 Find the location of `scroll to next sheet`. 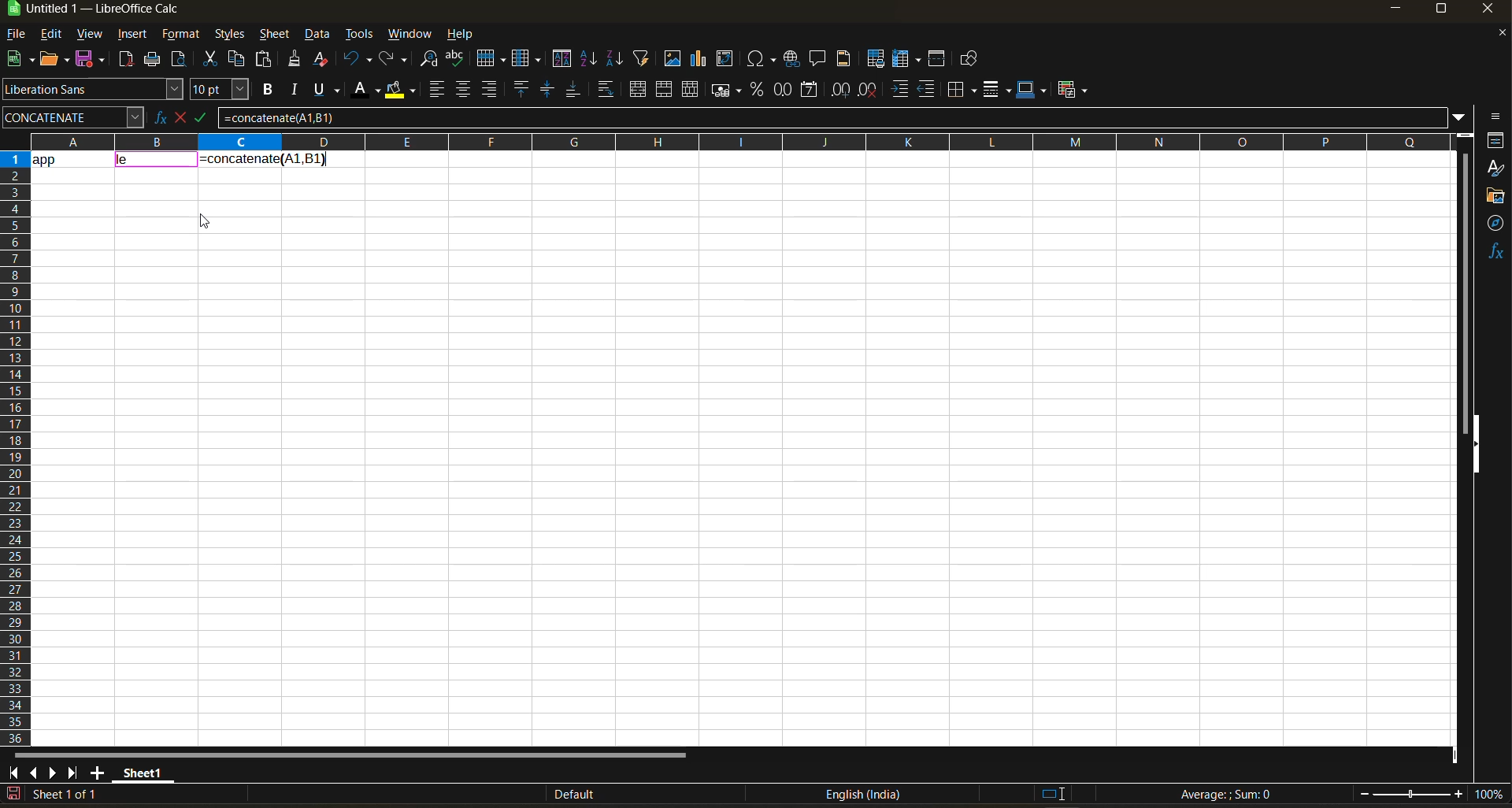

scroll to next sheet is located at coordinates (51, 773).